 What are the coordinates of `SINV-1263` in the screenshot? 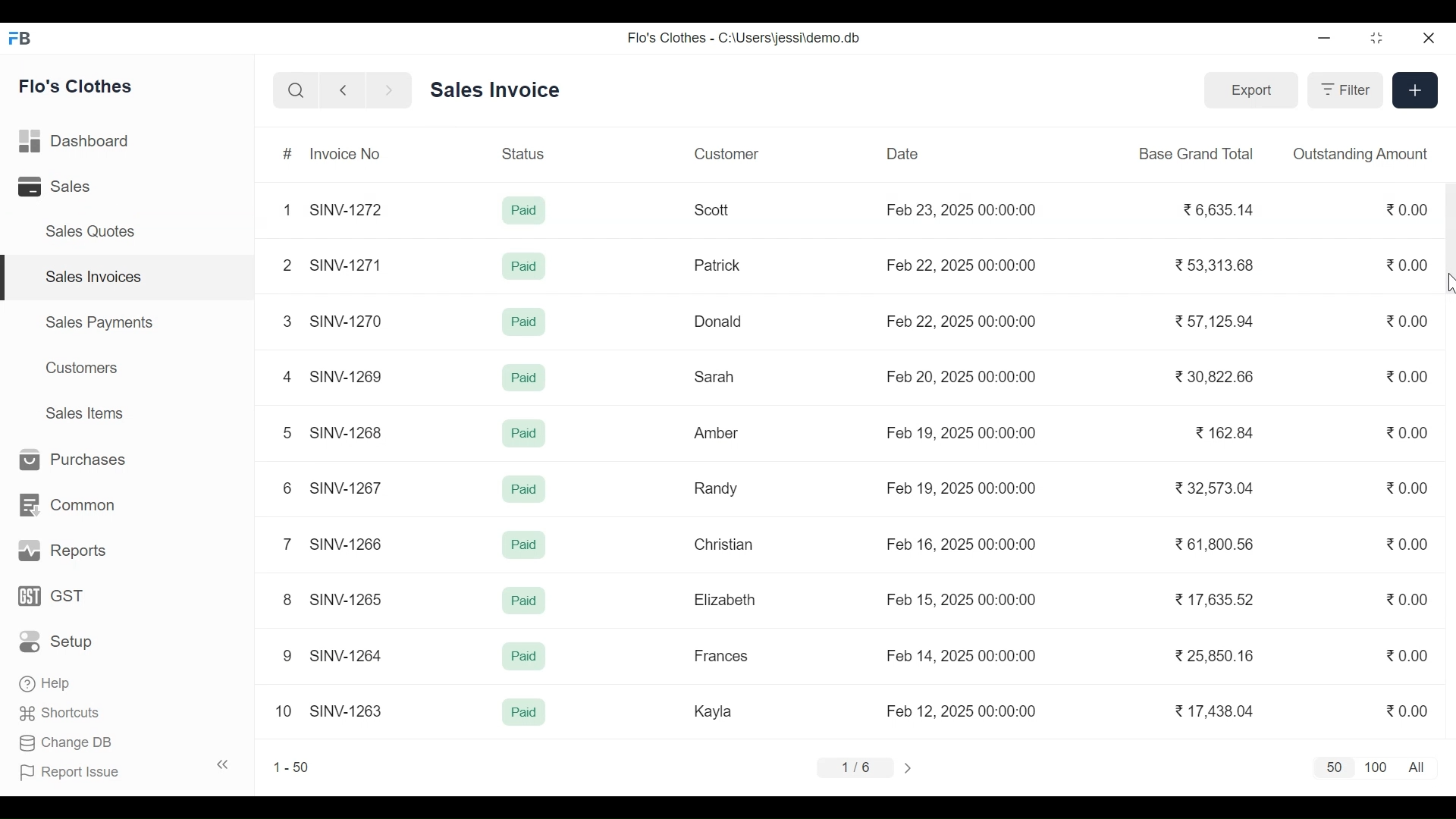 It's located at (347, 709).